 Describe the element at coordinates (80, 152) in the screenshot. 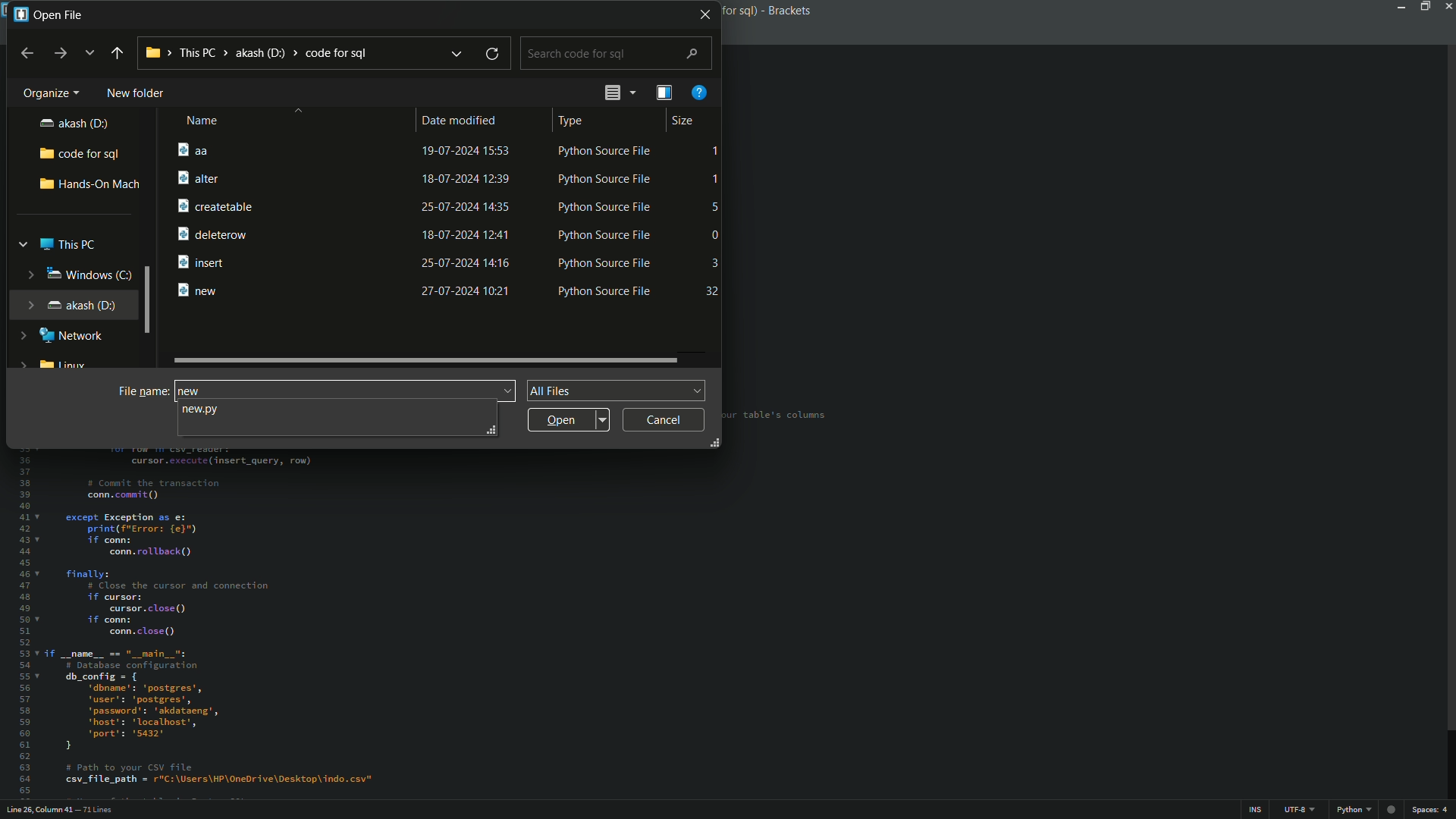

I see `code for sql` at that location.